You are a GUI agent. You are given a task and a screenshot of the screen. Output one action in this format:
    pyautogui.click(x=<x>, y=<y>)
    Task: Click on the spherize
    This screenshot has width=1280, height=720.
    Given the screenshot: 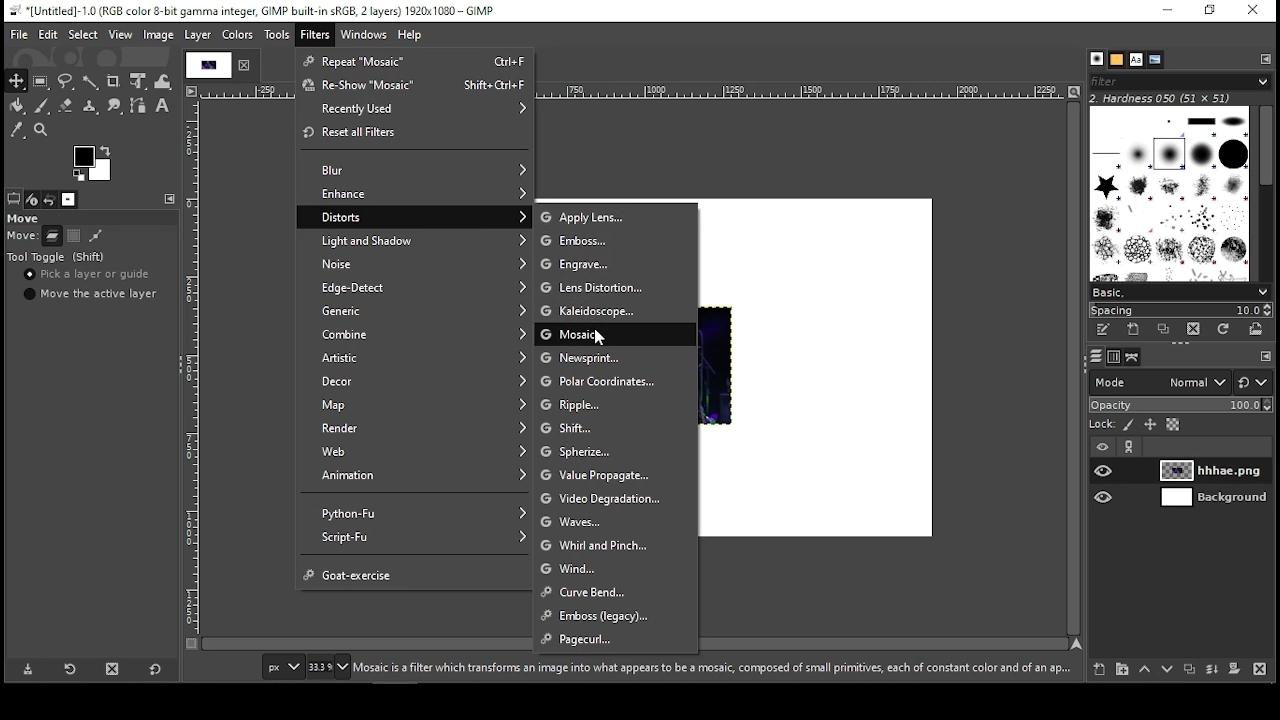 What is the action you would take?
    pyautogui.click(x=616, y=451)
    